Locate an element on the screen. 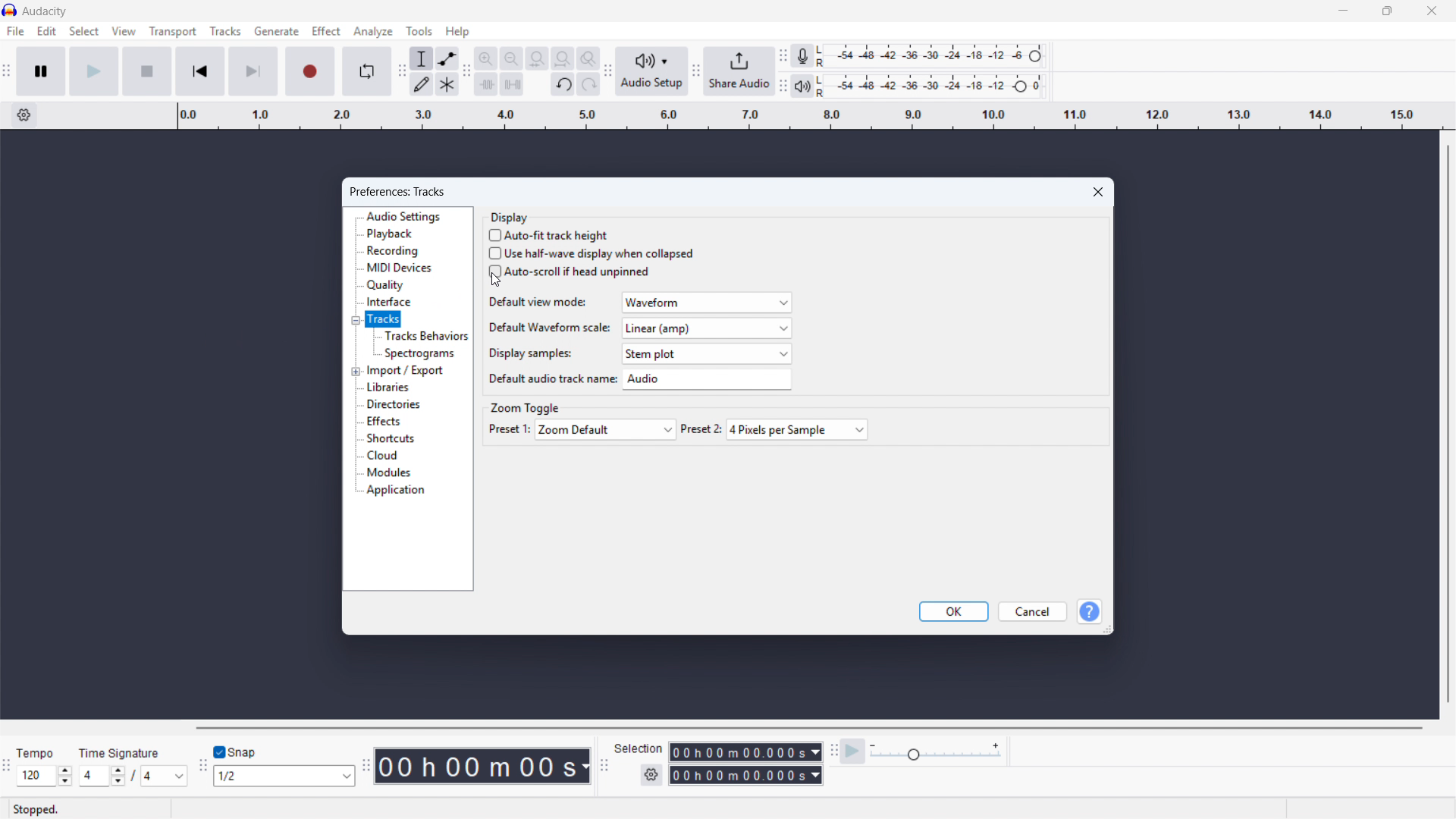 Image resolution: width=1456 pixels, height=819 pixels. share audio is located at coordinates (739, 71).